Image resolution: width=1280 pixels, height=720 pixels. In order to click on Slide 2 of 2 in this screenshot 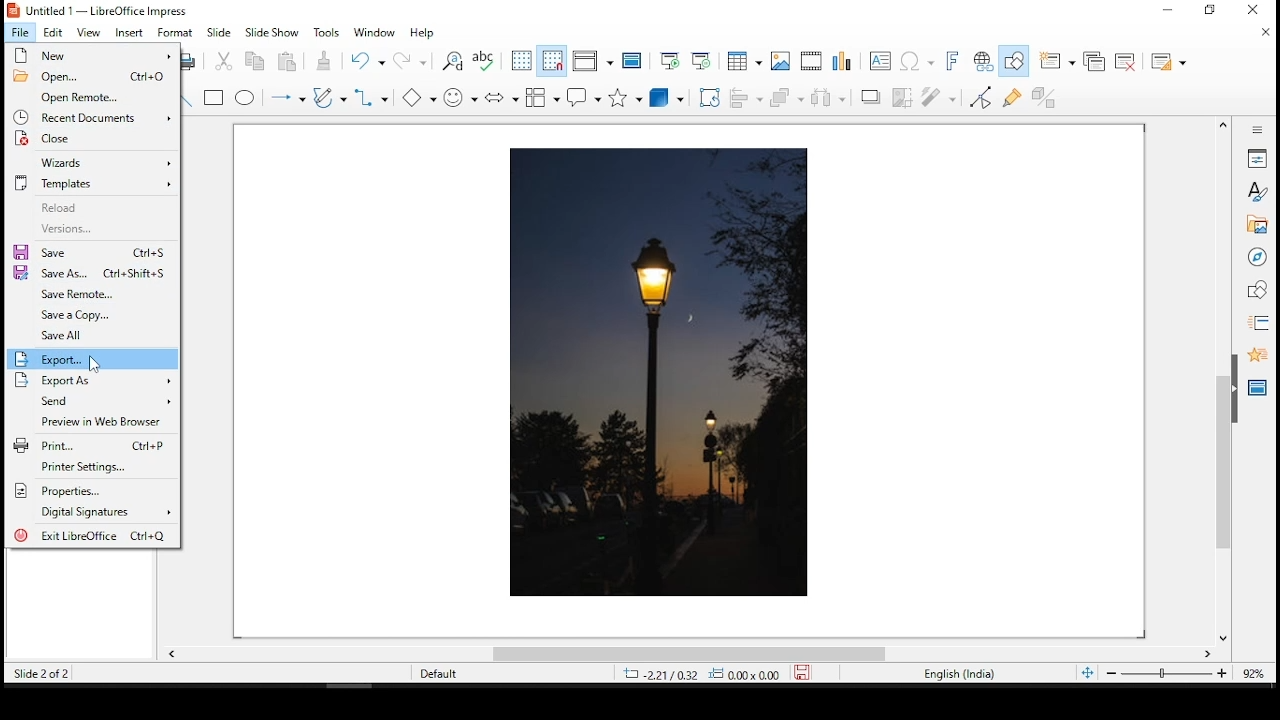, I will do `click(38, 673)`.